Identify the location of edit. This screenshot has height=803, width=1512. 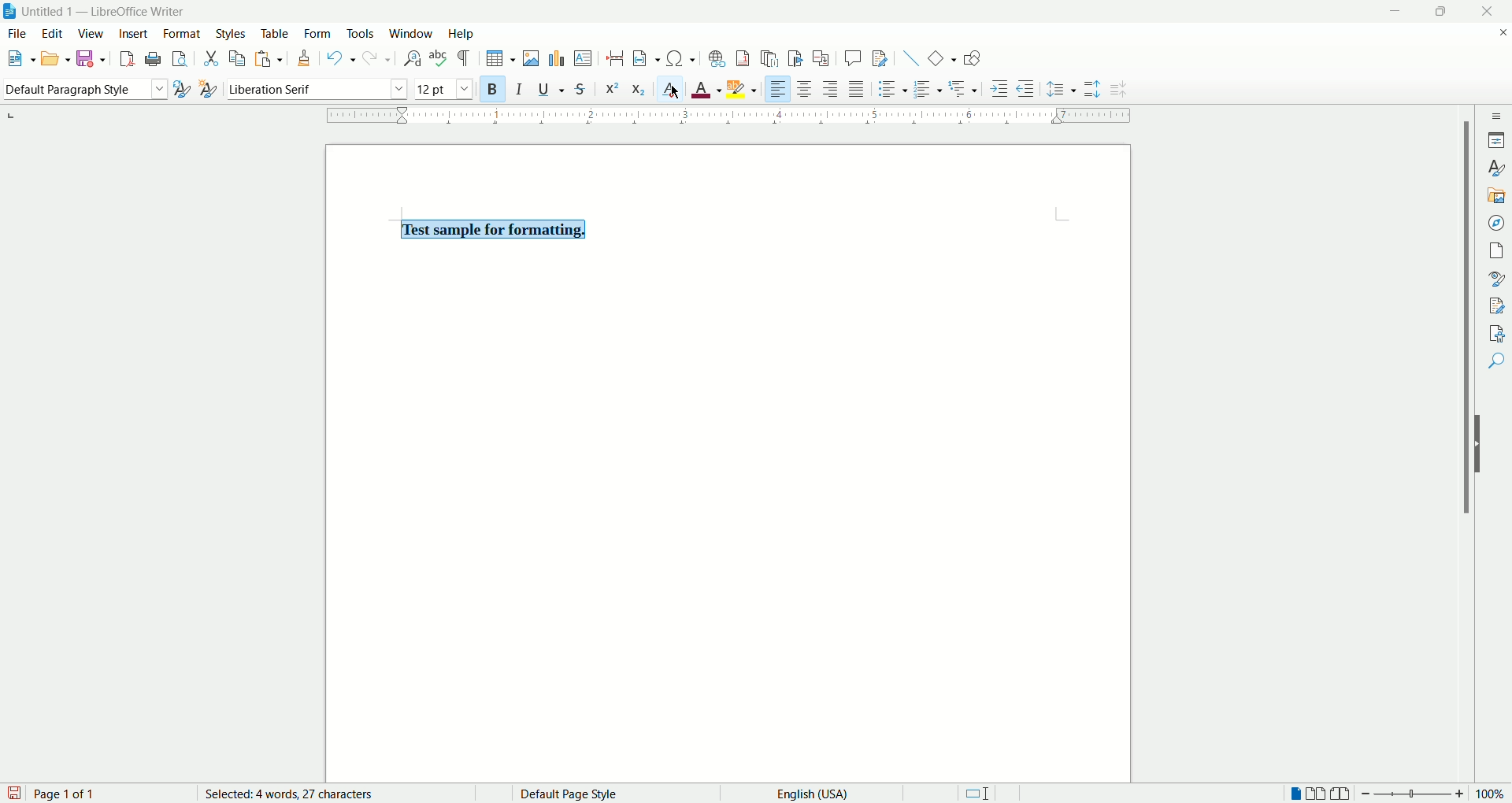
(50, 35).